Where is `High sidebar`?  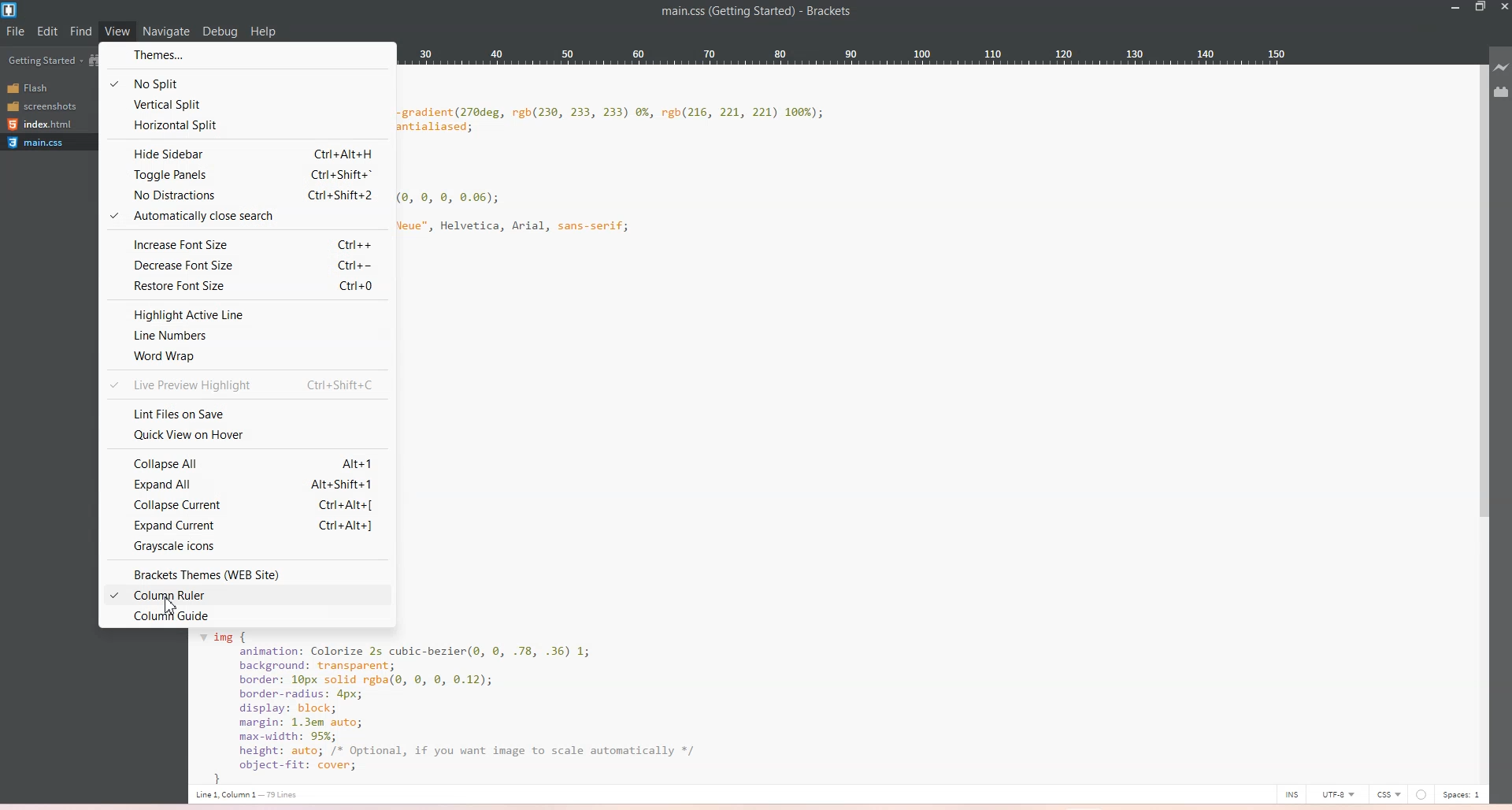
High sidebar is located at coordinates (247, 152).